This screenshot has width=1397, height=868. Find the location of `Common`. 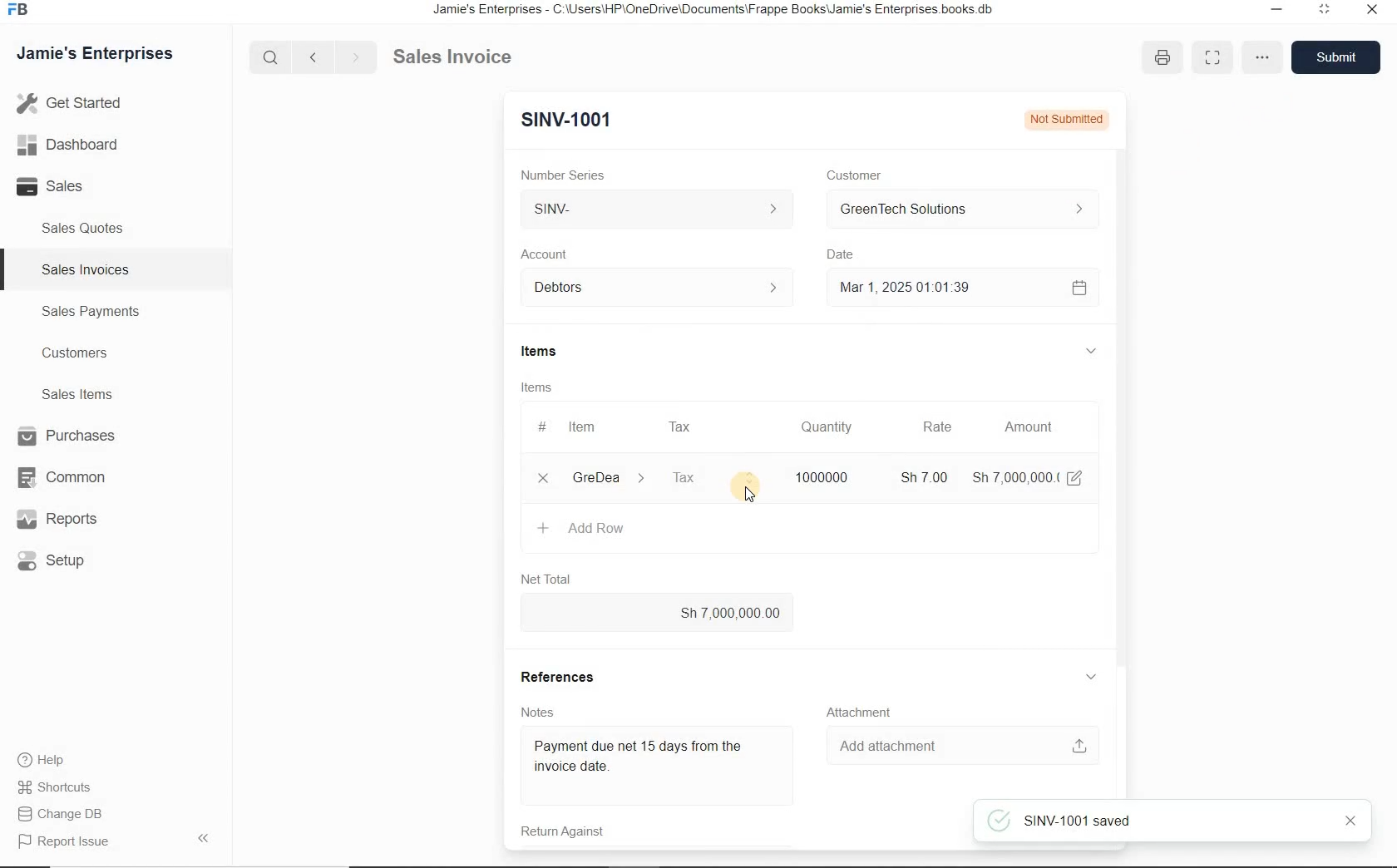

Common is located at coordinates (59, 476).